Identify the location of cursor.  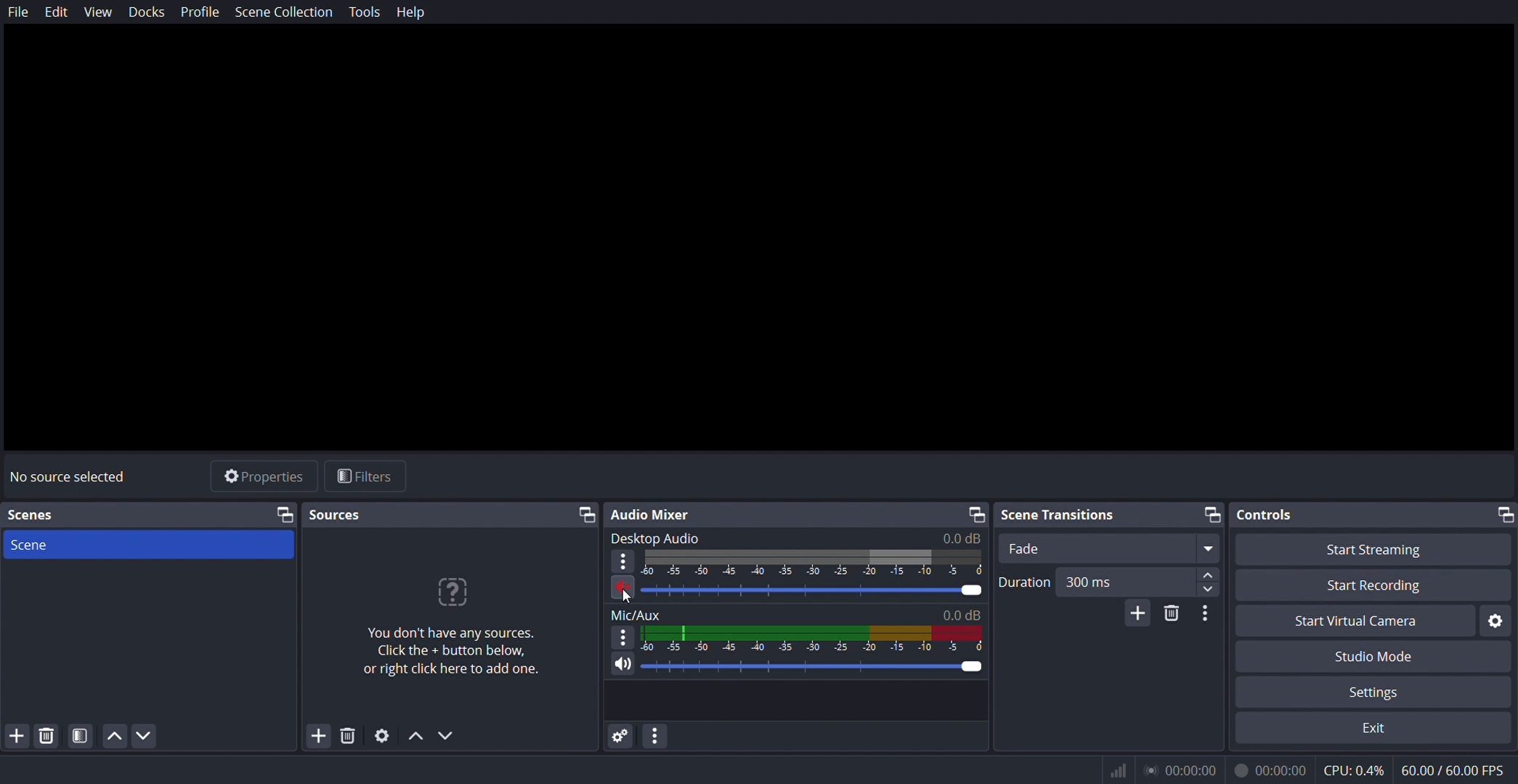
(625, 596).